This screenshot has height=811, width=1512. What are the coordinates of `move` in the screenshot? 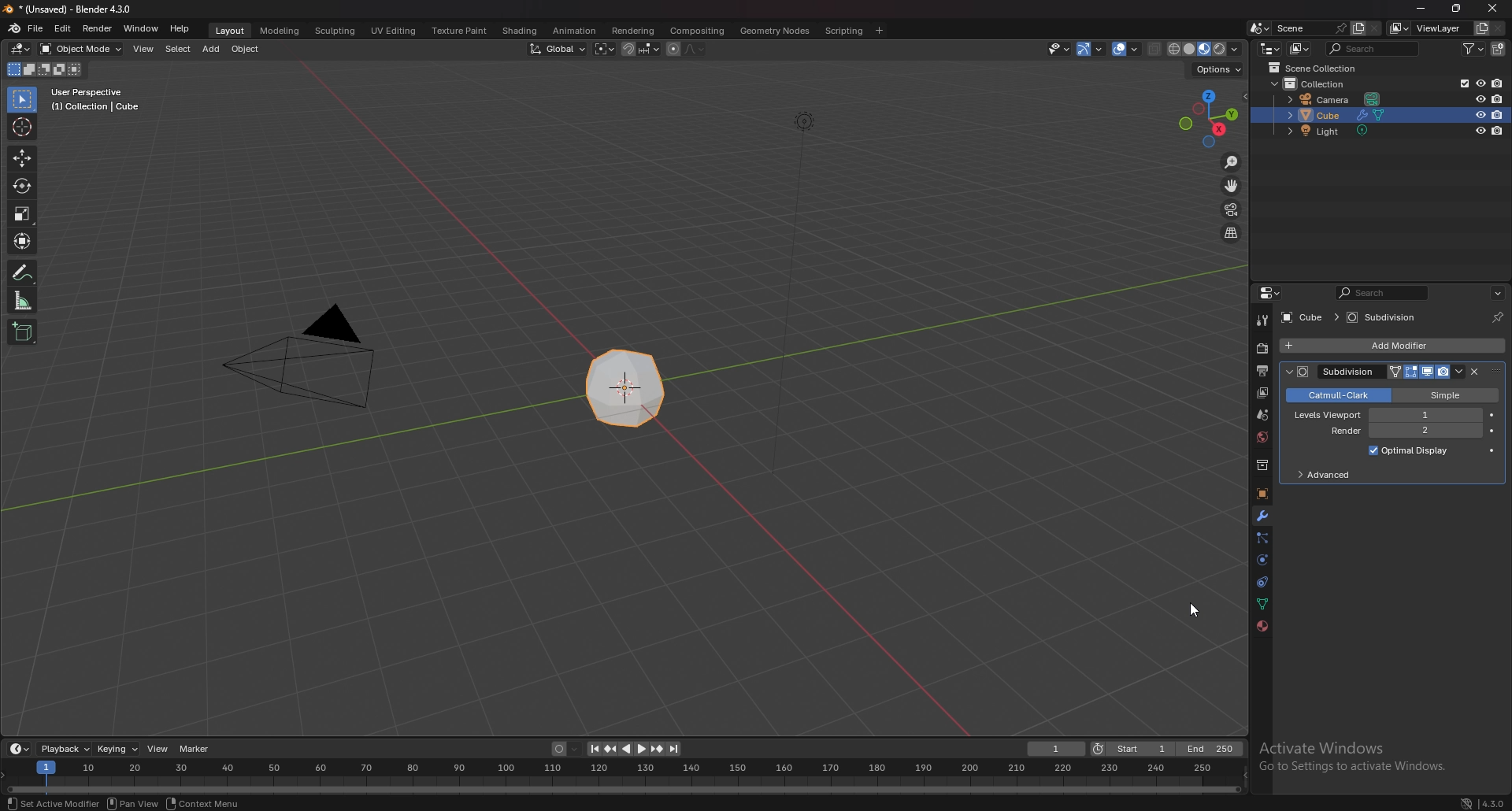 It's located at (1232, 186).